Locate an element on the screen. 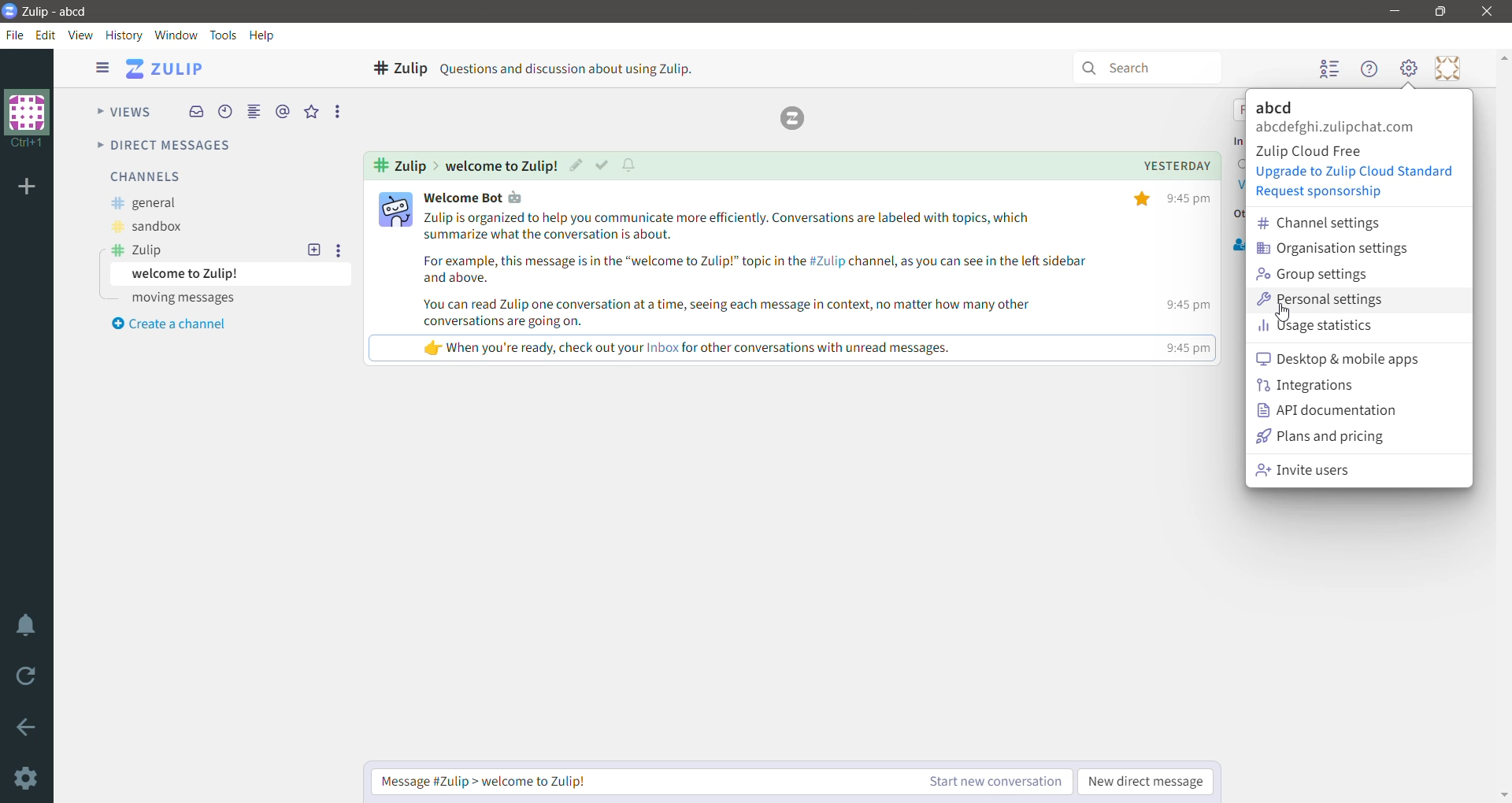 The width and height of the screenshot is (1512, 803). Search is located at coordinates (1146, 68).